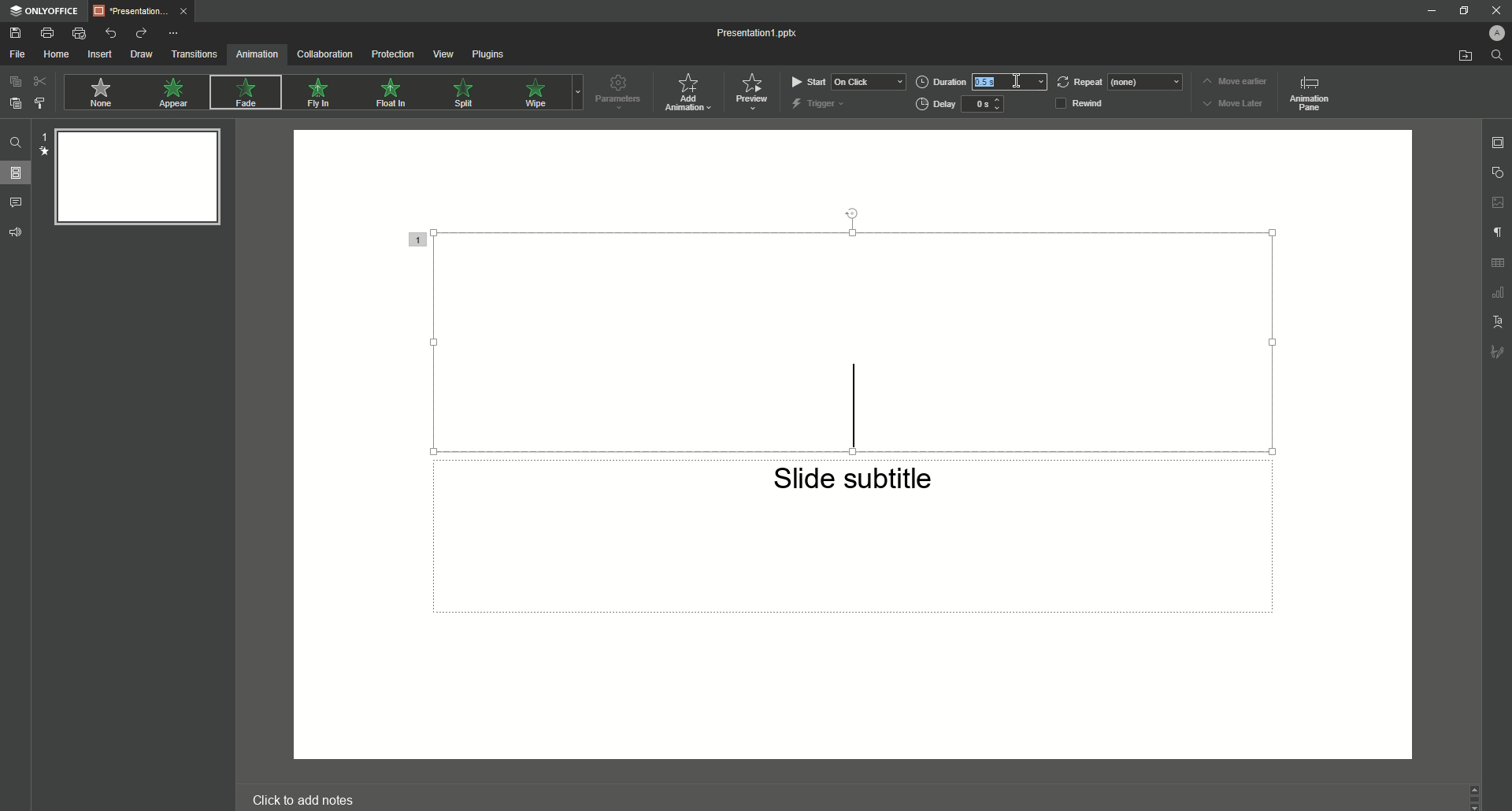 This screenshot has height=811, width=1512. Describe the element at coordinates (19, 55) in the screenshot. I see `File` at that location.